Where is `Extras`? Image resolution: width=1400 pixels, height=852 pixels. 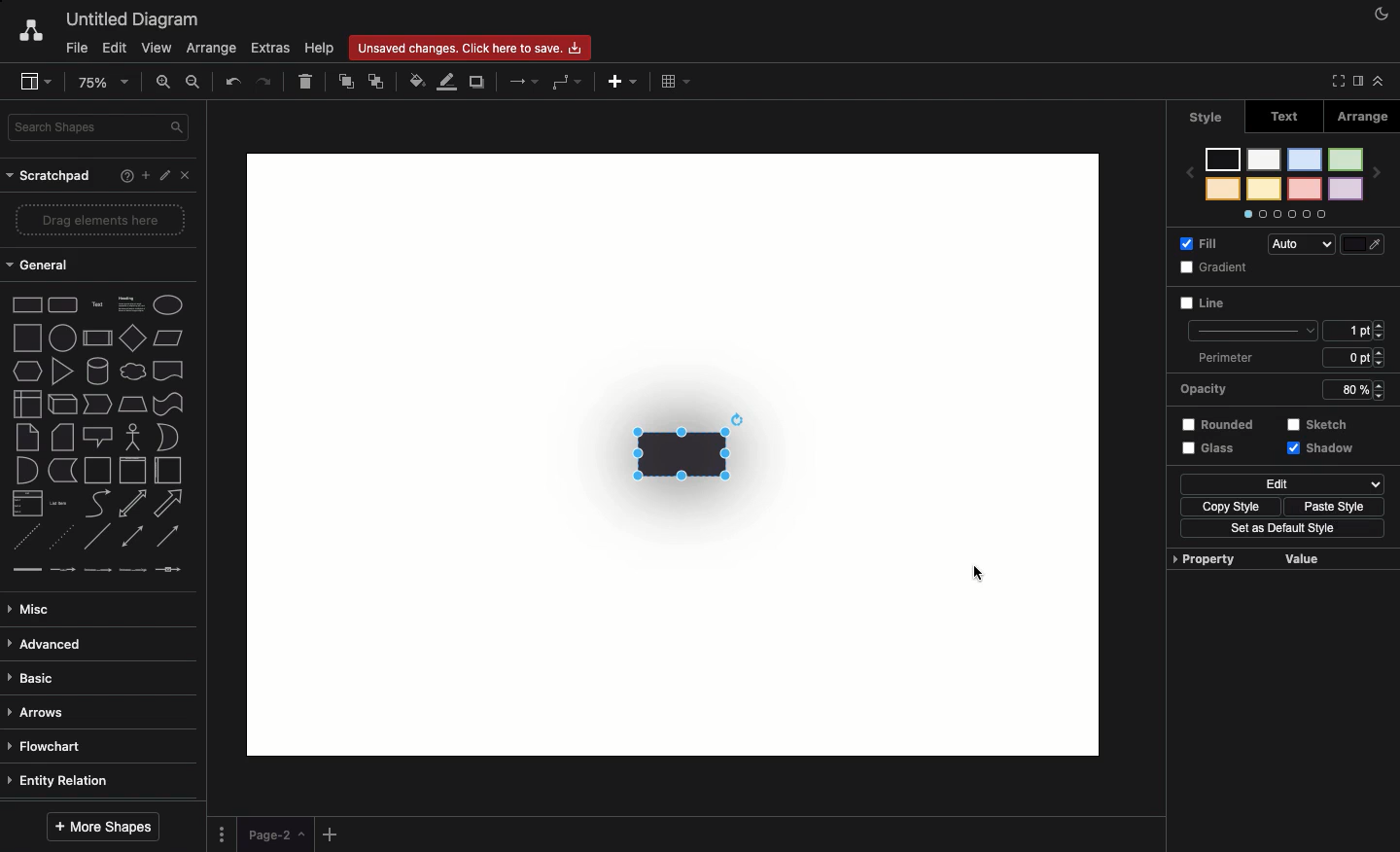
Extras is located at coordinates (268, 48).